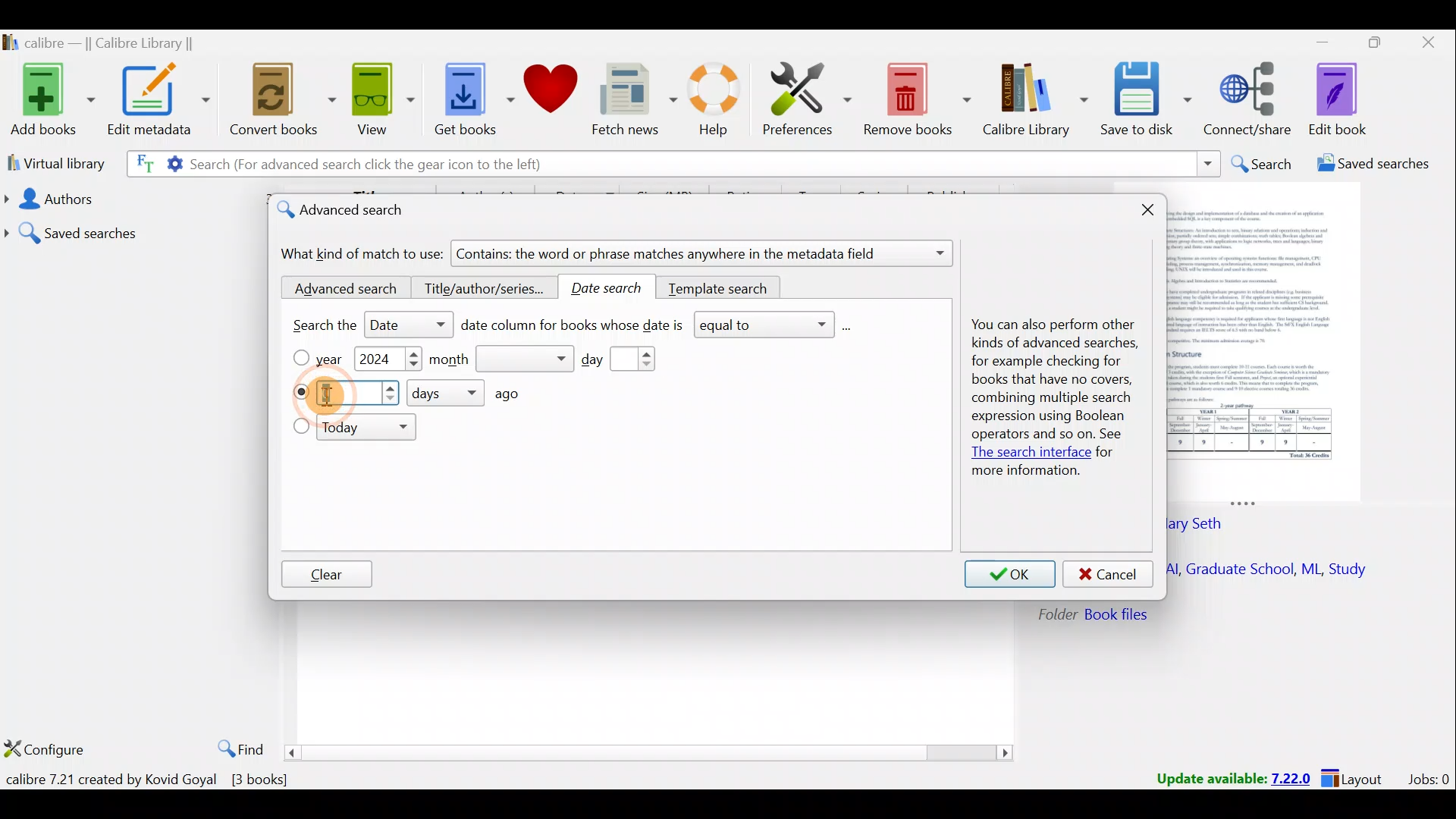  I want to click on Year, so click(335, 359).